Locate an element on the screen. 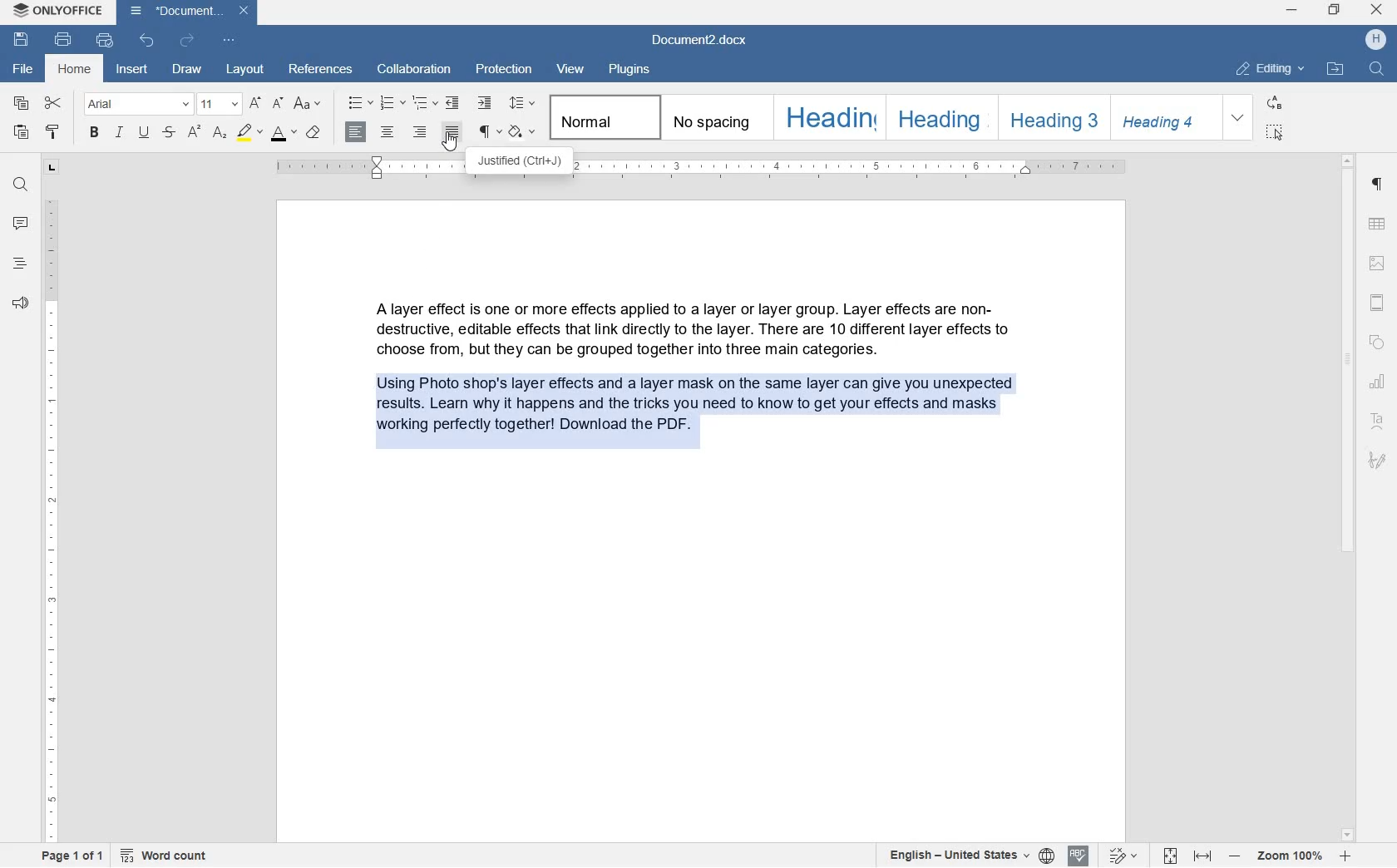 The width and height of the screenshot is (1397, 868). NORMAL is located at coordinates (602, 120).